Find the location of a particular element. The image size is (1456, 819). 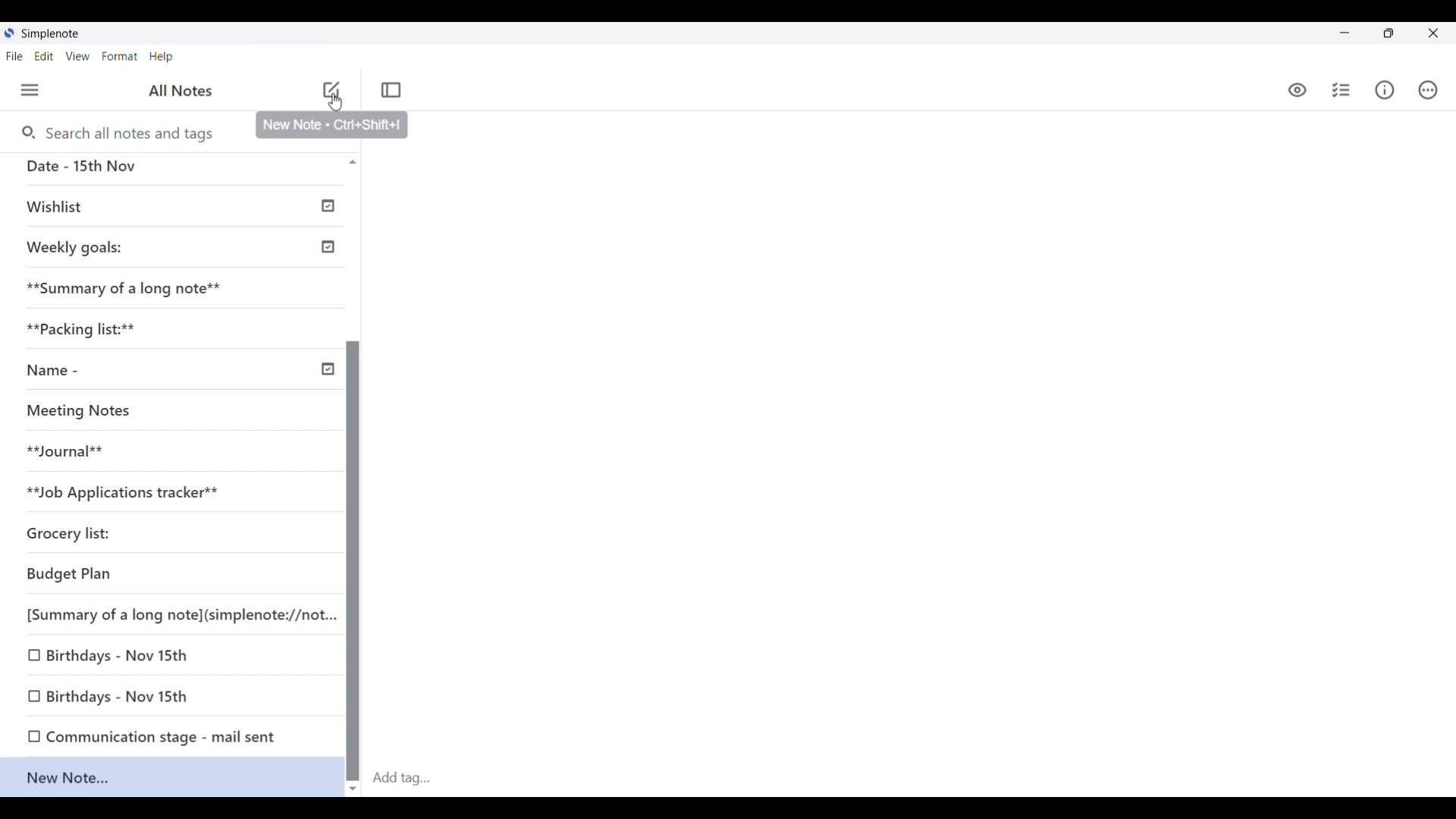

**Summary of a long note** is located at coordinates (125, 286).